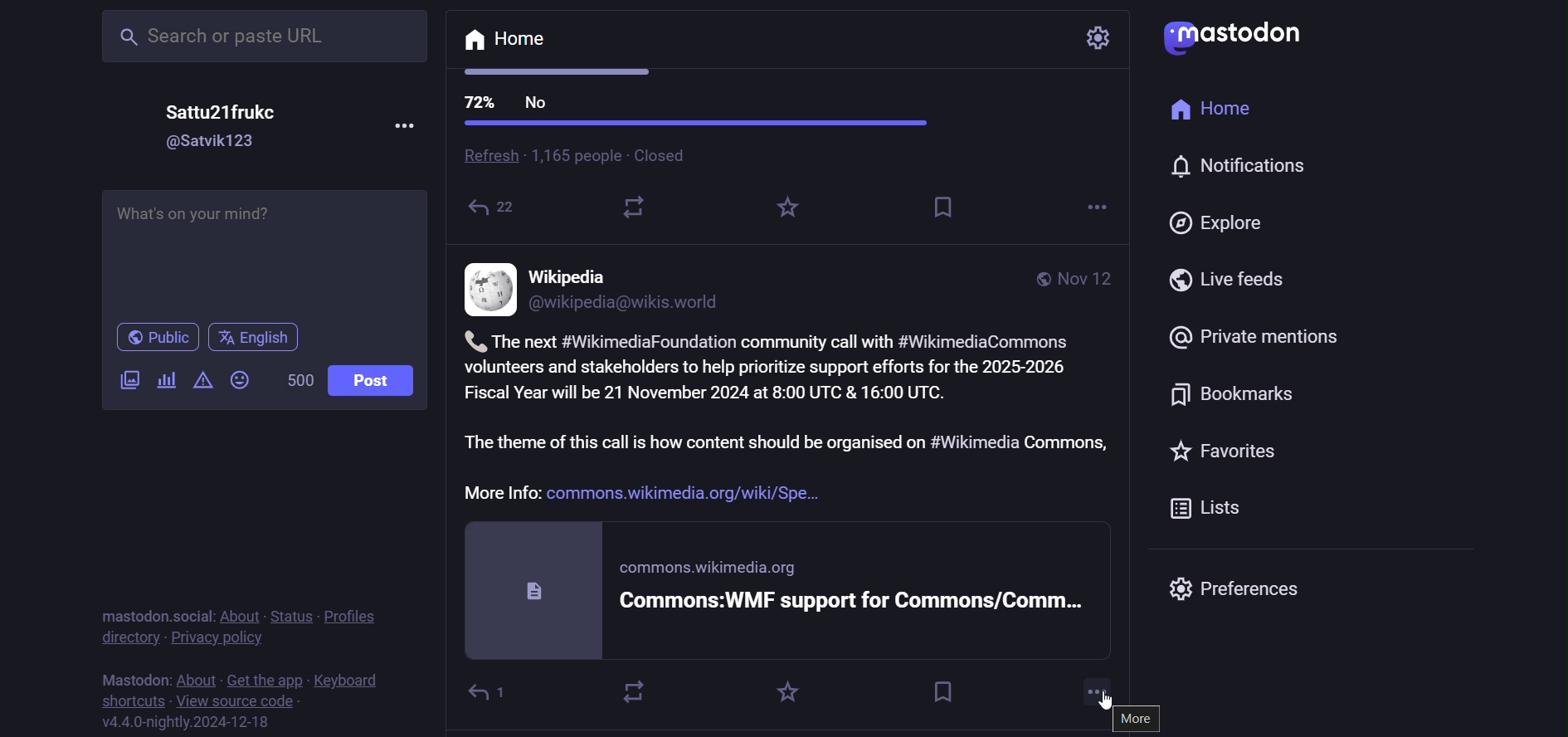 This screenshot has height=737, width=1568. Describe the element at coordinates (946, 207) in the screenshot. I see `save` at that location.